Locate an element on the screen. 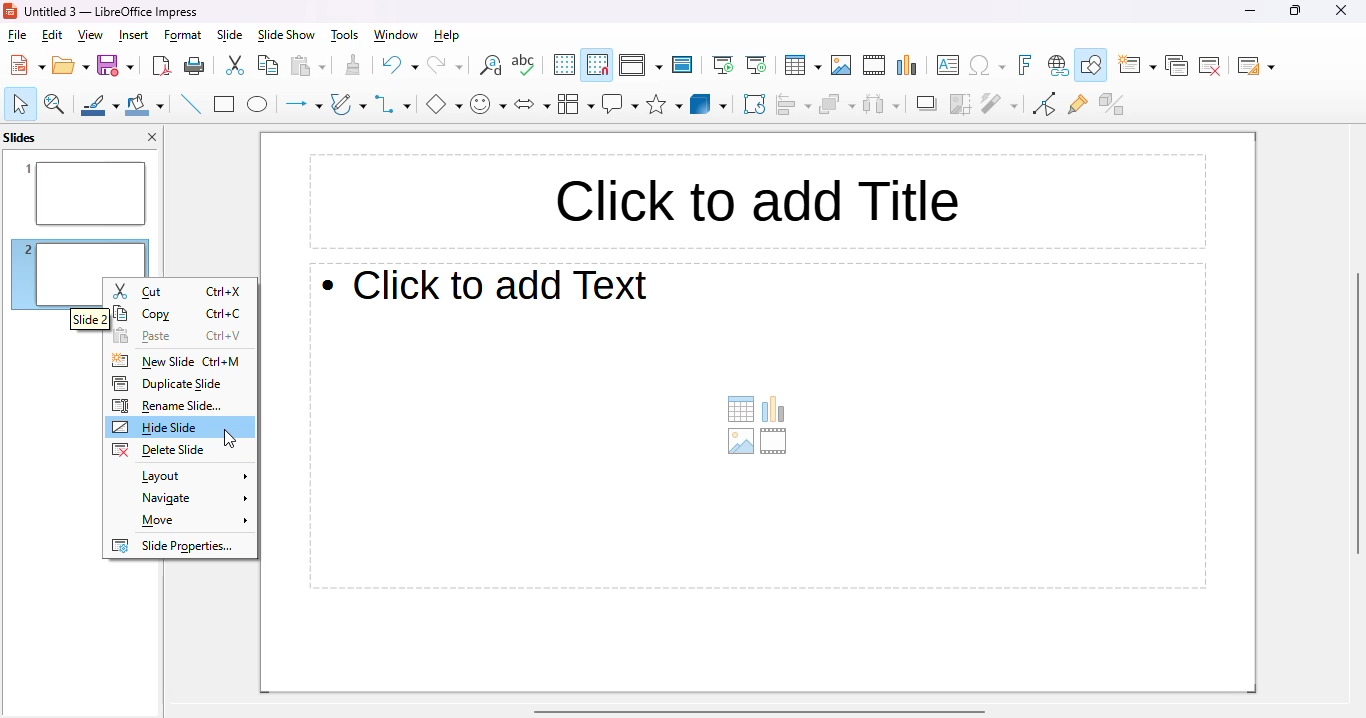 Image resolution: width=1366 pixels, height=718 pixels. connectors is located at coordinates (393, 103).